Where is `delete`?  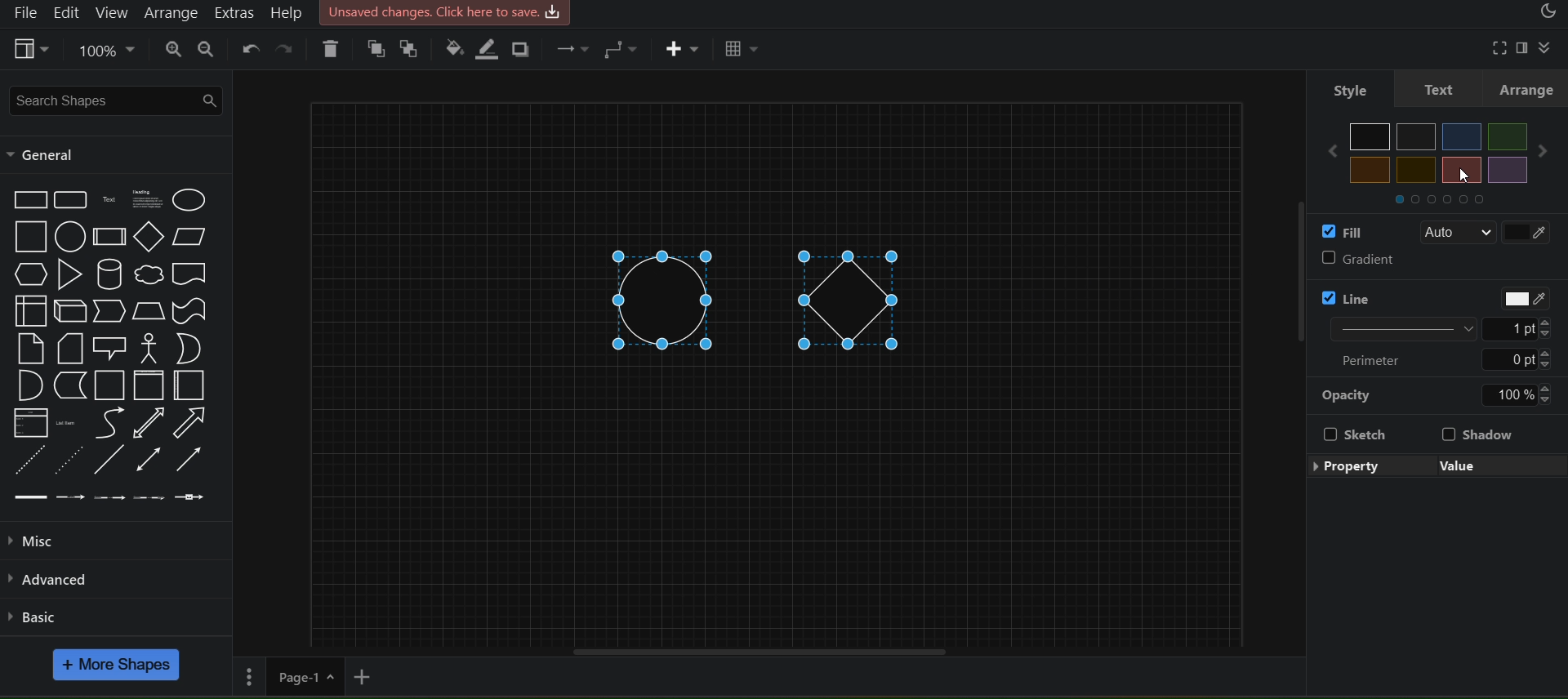
delete is located at coordinates (332, 50).